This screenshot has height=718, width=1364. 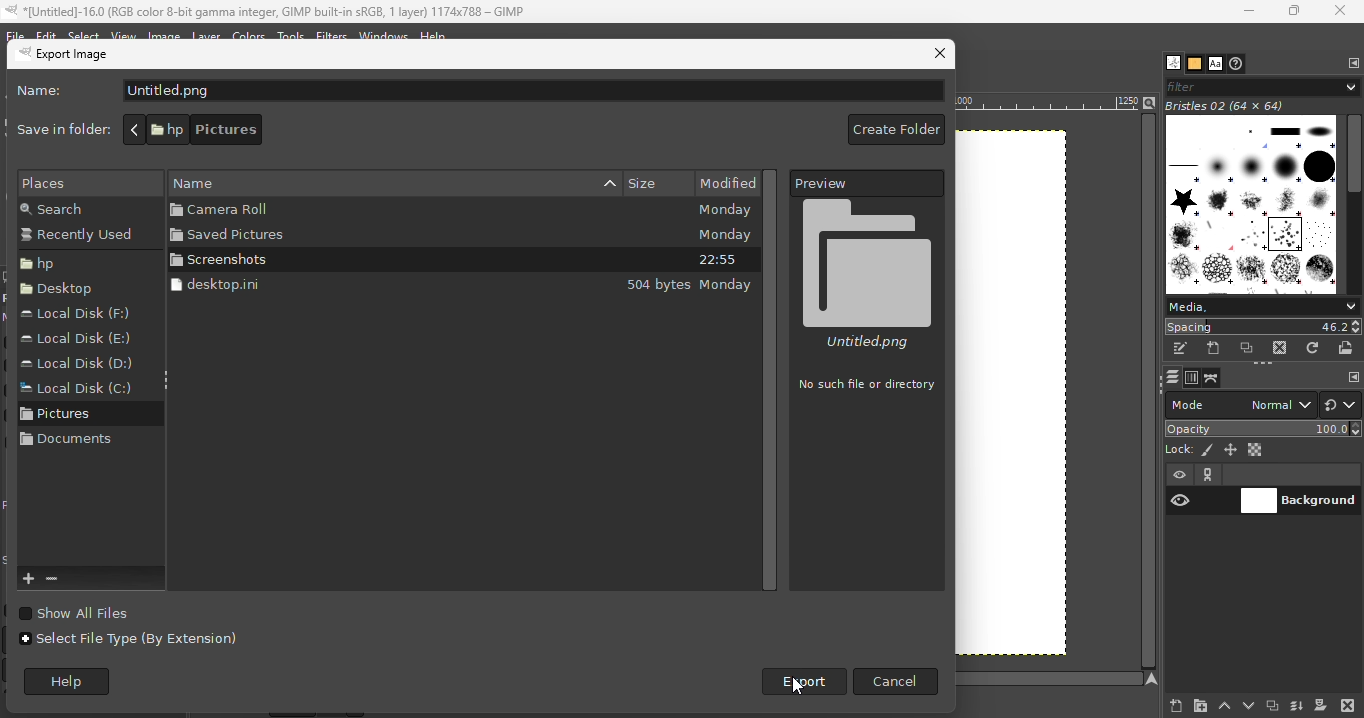 I want to click on Background visibility, so click(x=1300, y=502).